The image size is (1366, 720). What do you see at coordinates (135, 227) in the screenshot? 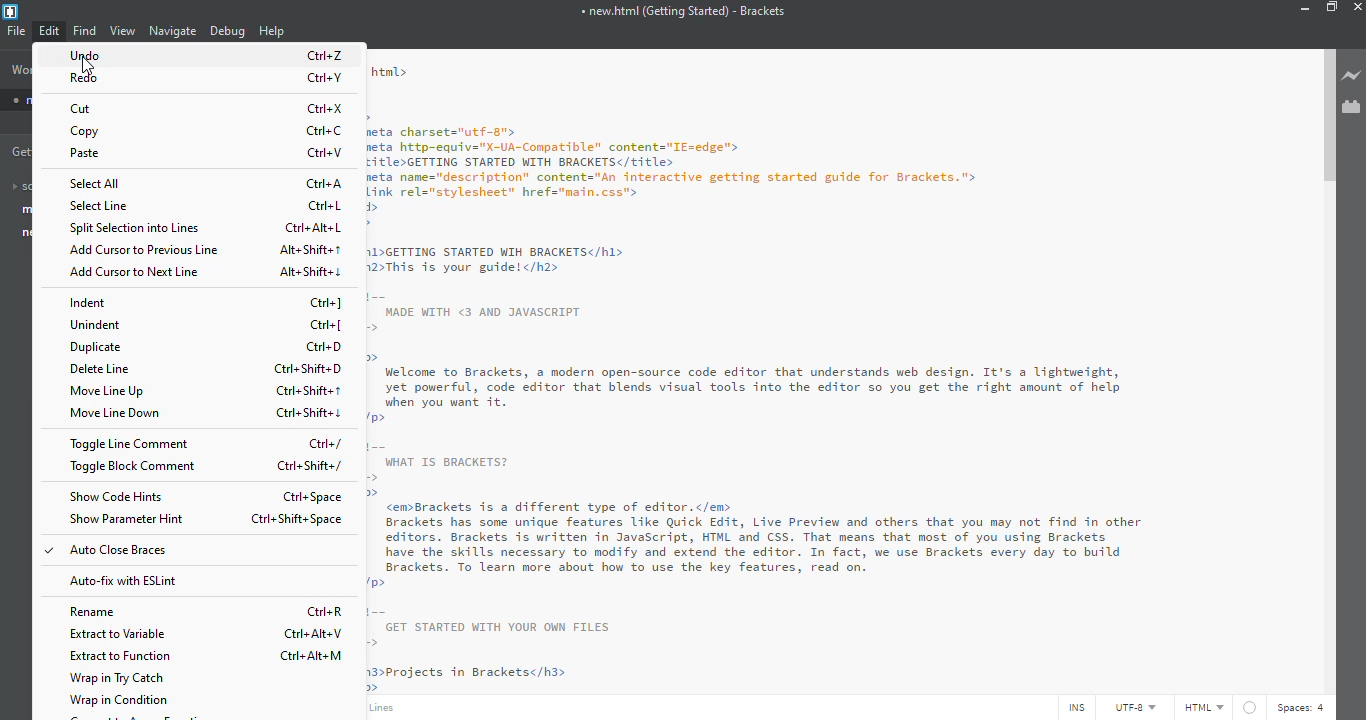
I see `split selection` at bounding box center [135, 227].